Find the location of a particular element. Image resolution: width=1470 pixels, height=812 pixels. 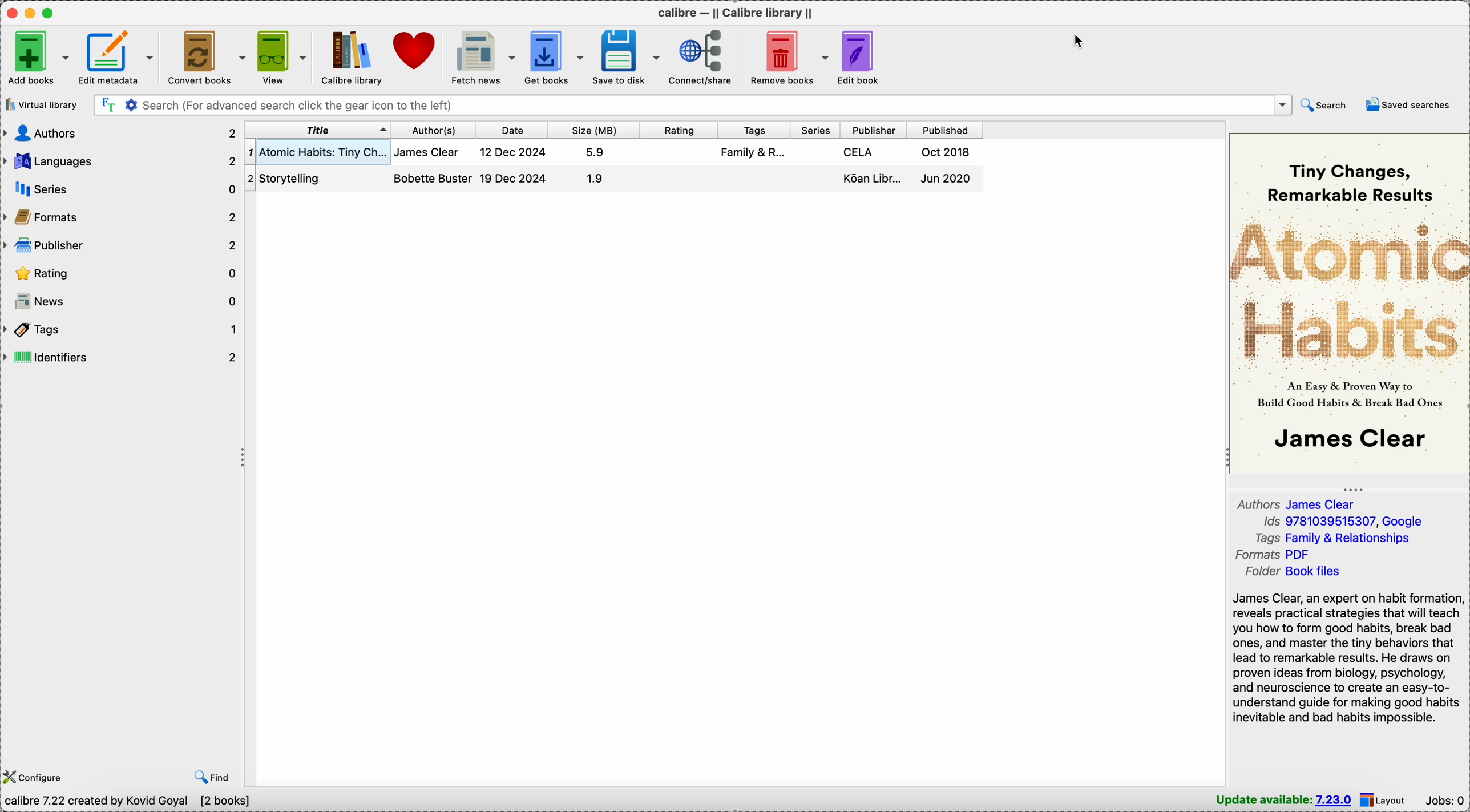

tags: family & relationships is located at coordinates (1339, 538).